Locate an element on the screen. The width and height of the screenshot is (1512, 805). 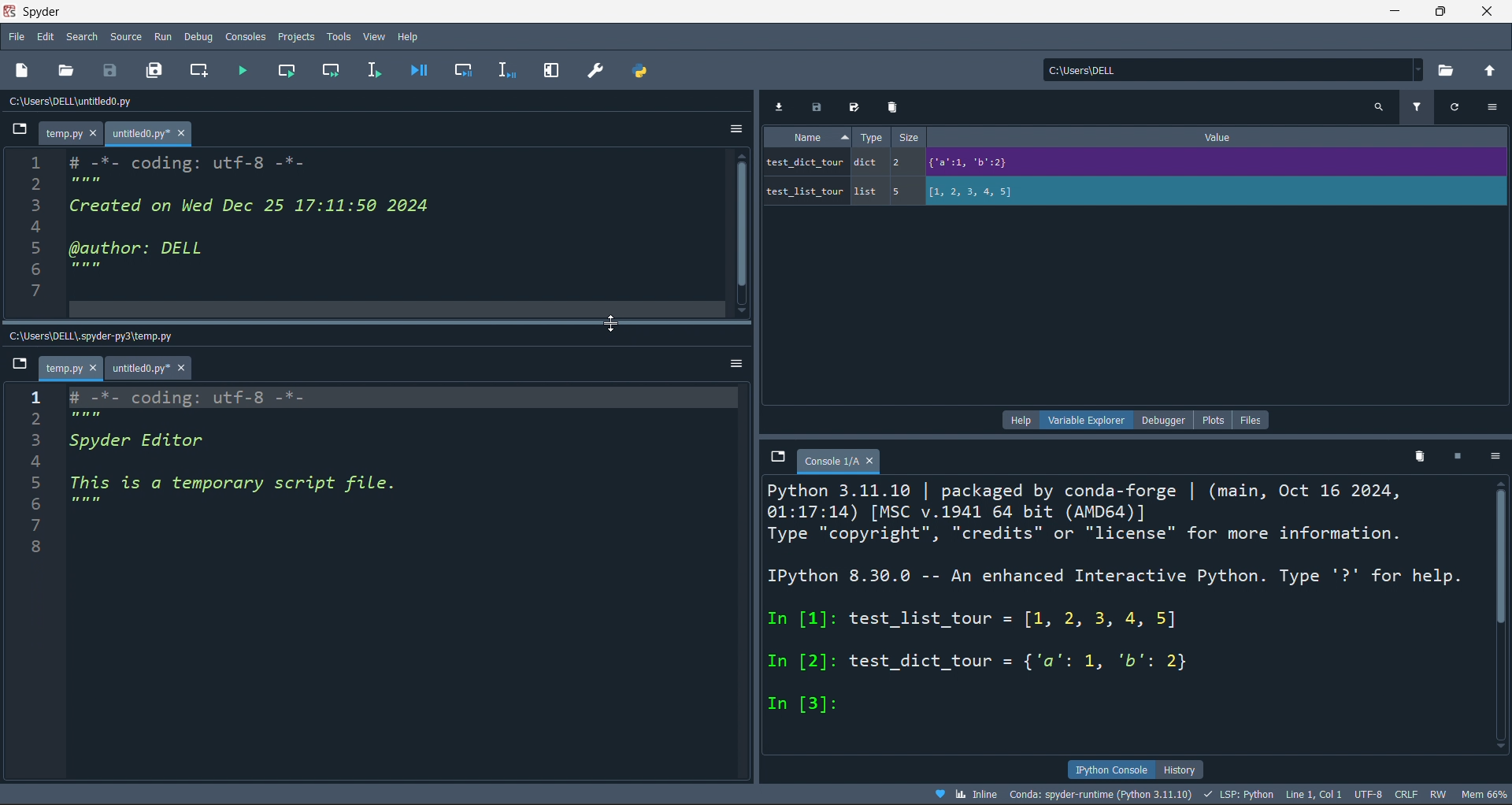
options is located at coordinates (1495, 108).